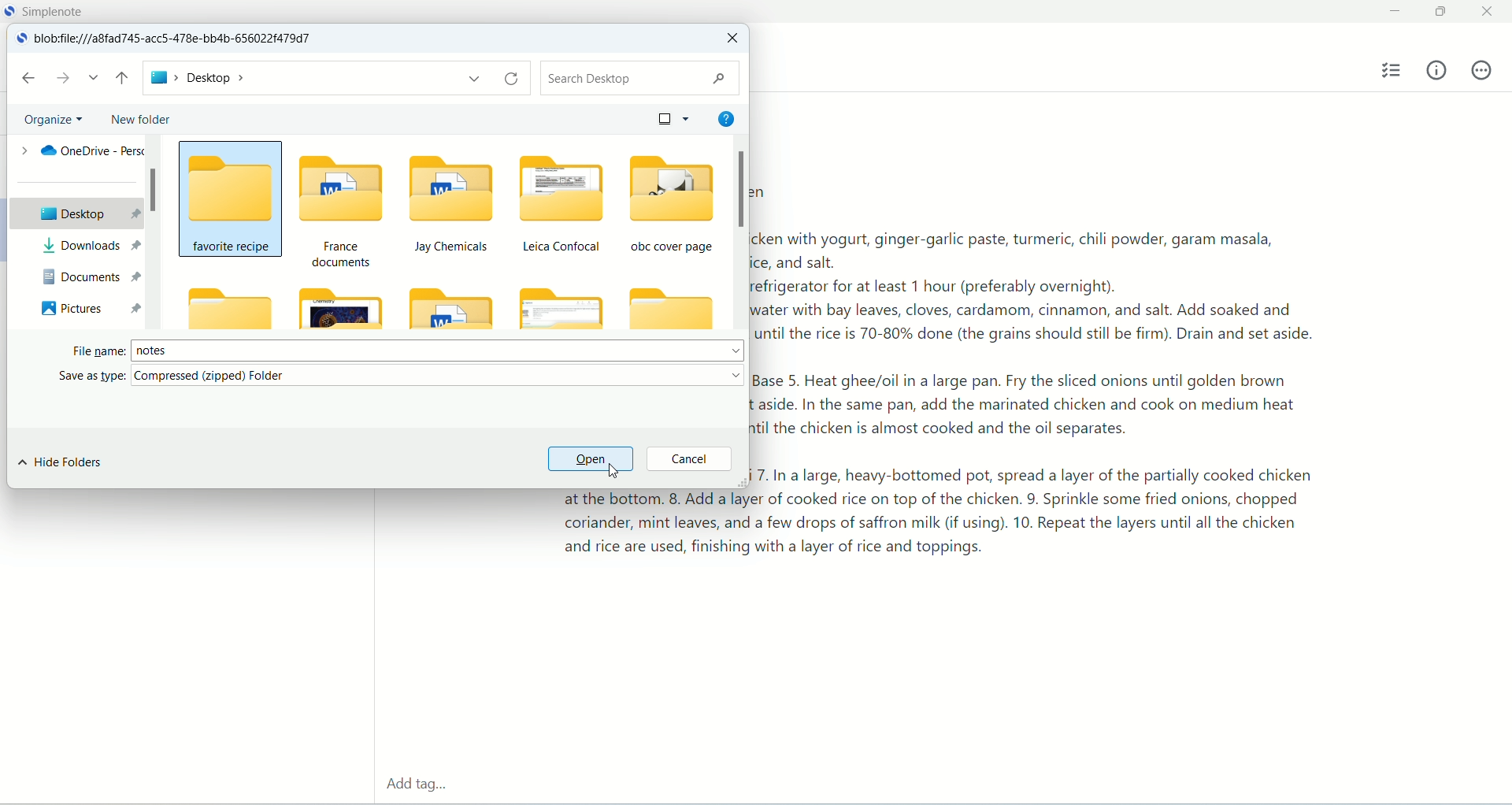 Image resolution: width=1512 pixels, height=805 pixels. Describe the element at coordinates (403, 377) in the screenshot. I see `save as type` at that location.